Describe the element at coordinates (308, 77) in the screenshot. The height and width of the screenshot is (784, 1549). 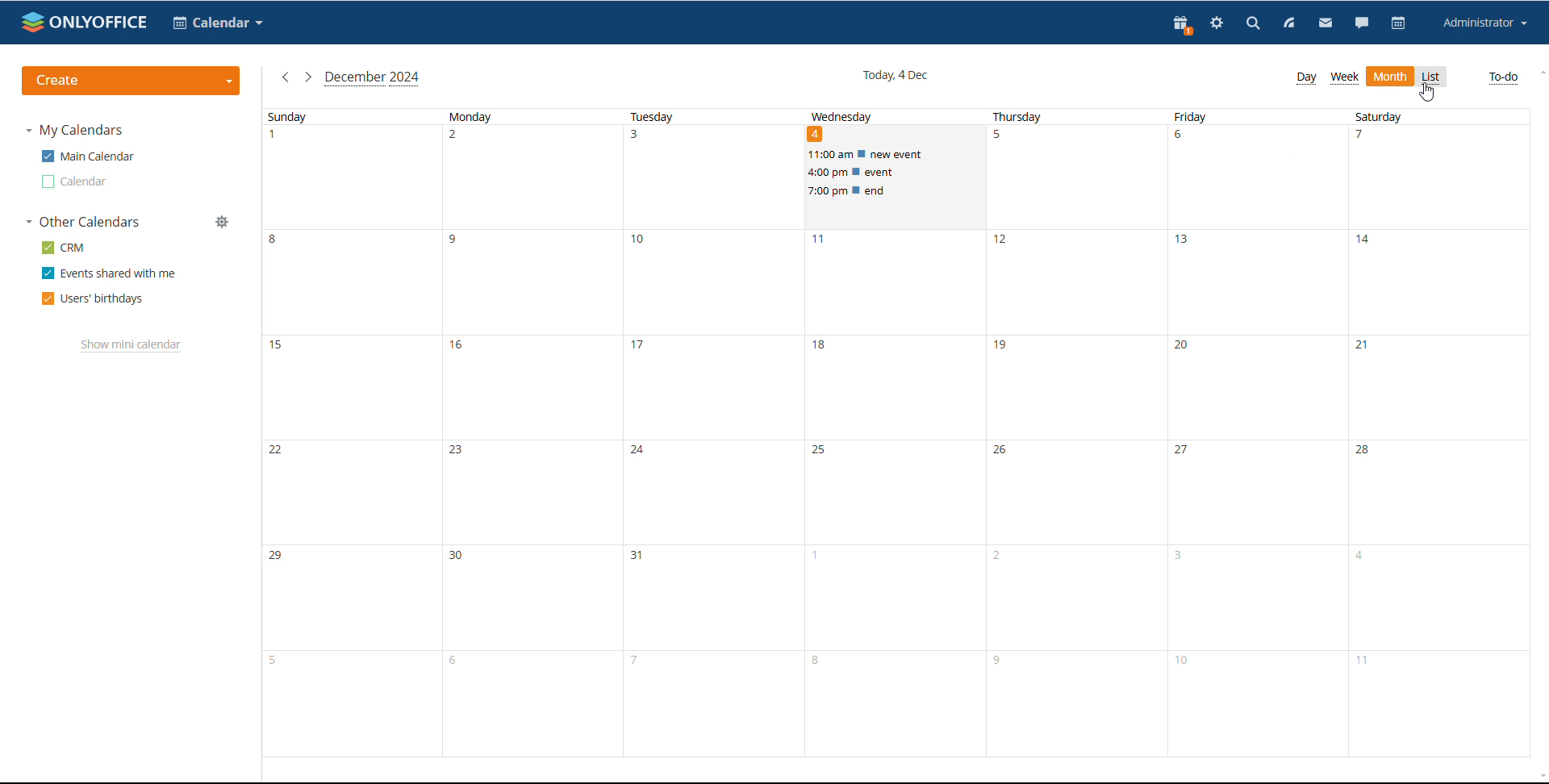
I see `next month` at that location.